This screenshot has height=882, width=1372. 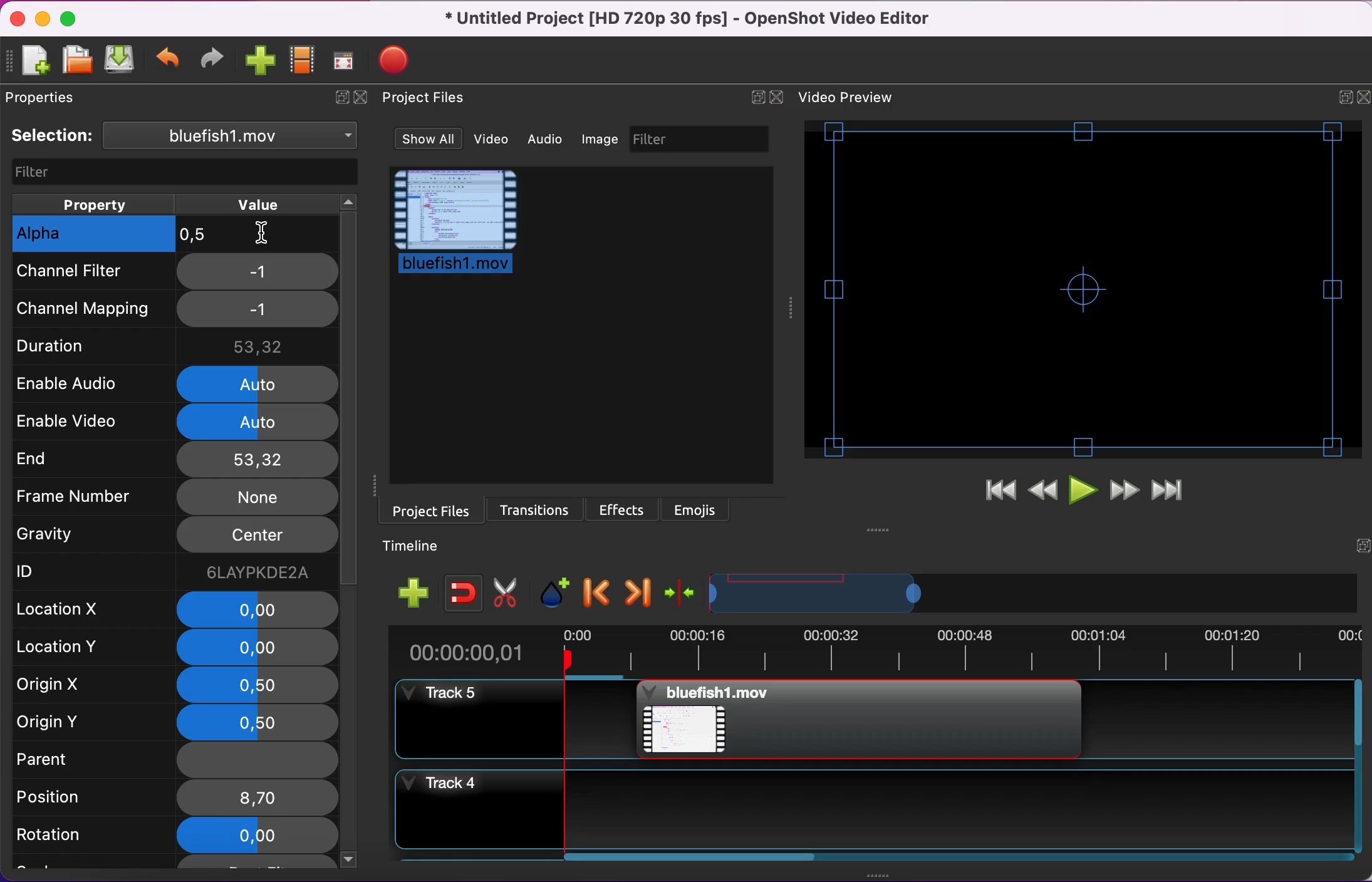 I want to click on location y, so click(x=76, y=650).